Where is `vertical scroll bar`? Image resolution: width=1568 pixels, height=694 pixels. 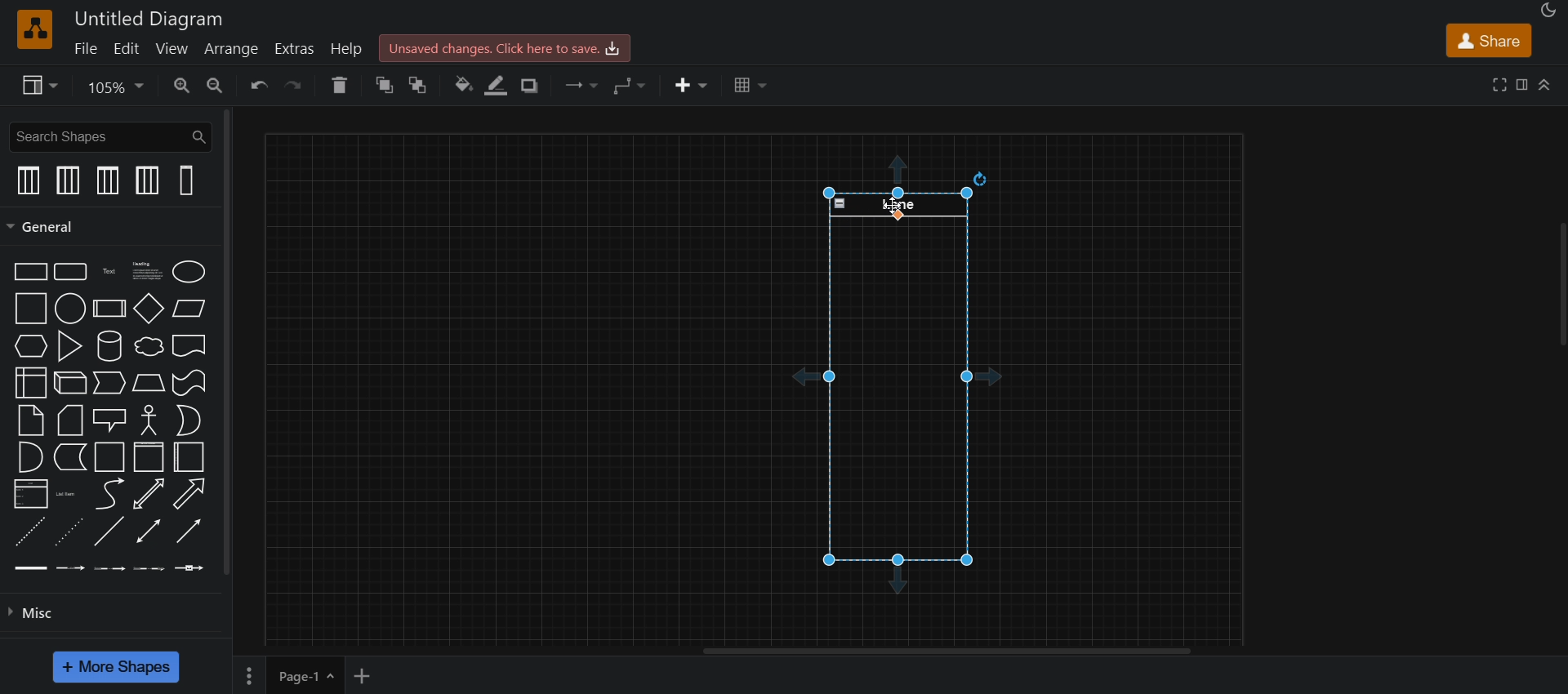
vertical scroll bar is located at coordinates (233, 342).